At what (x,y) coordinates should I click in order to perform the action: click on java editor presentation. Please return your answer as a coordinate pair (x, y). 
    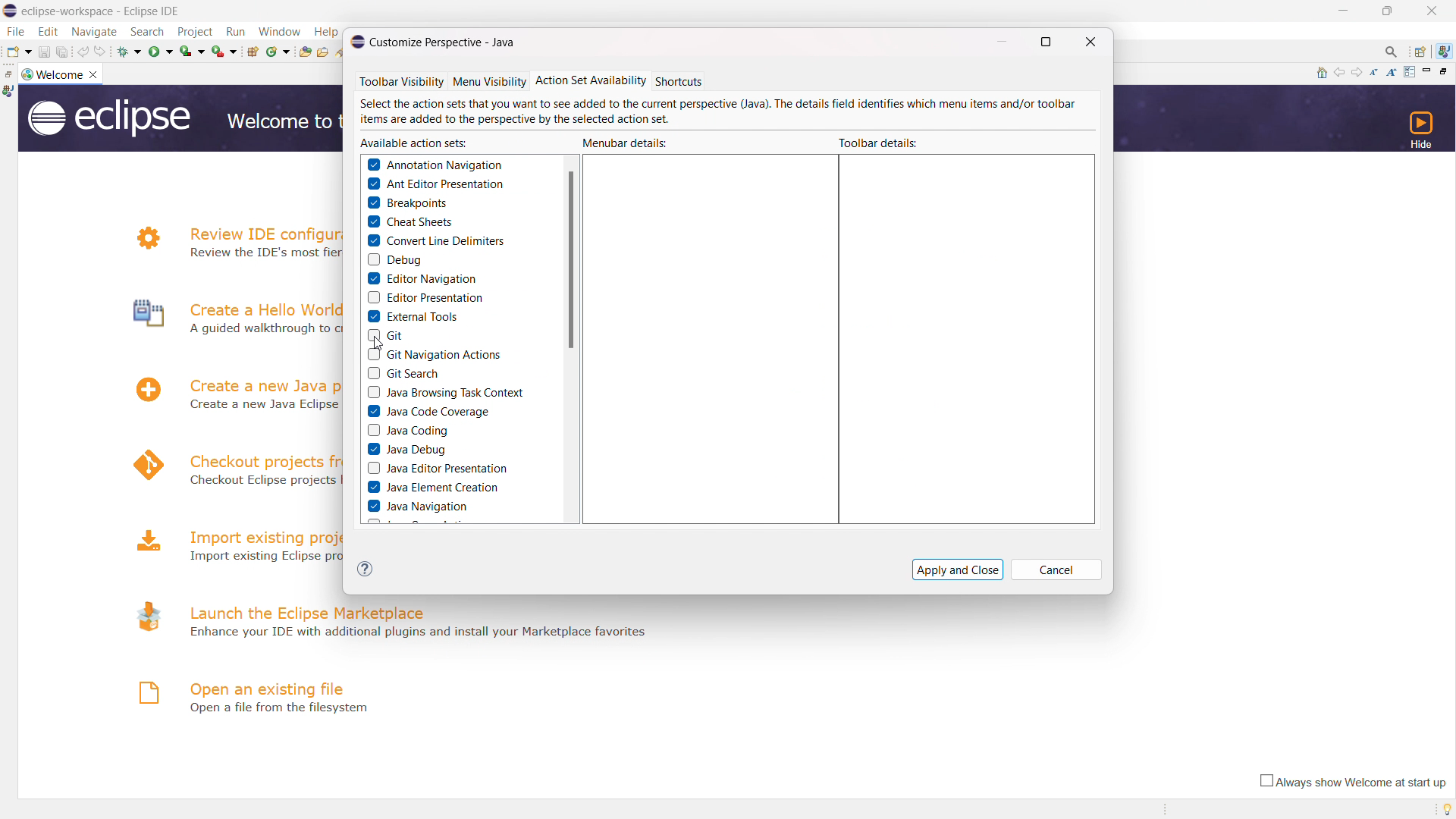
    Looking at the image, I should click on (437, 468).